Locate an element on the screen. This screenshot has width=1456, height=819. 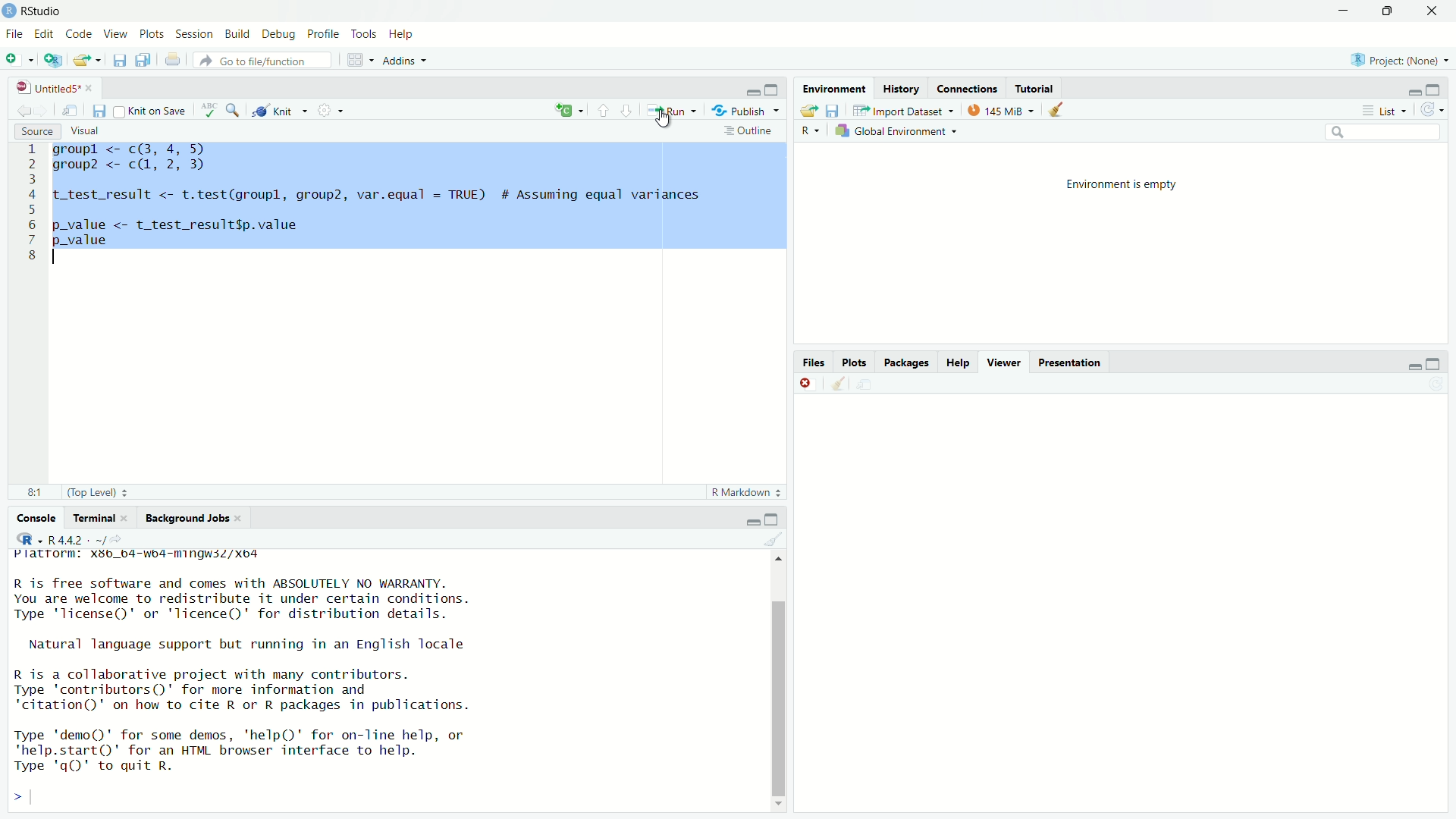
close is located at coordinates (807, 383).